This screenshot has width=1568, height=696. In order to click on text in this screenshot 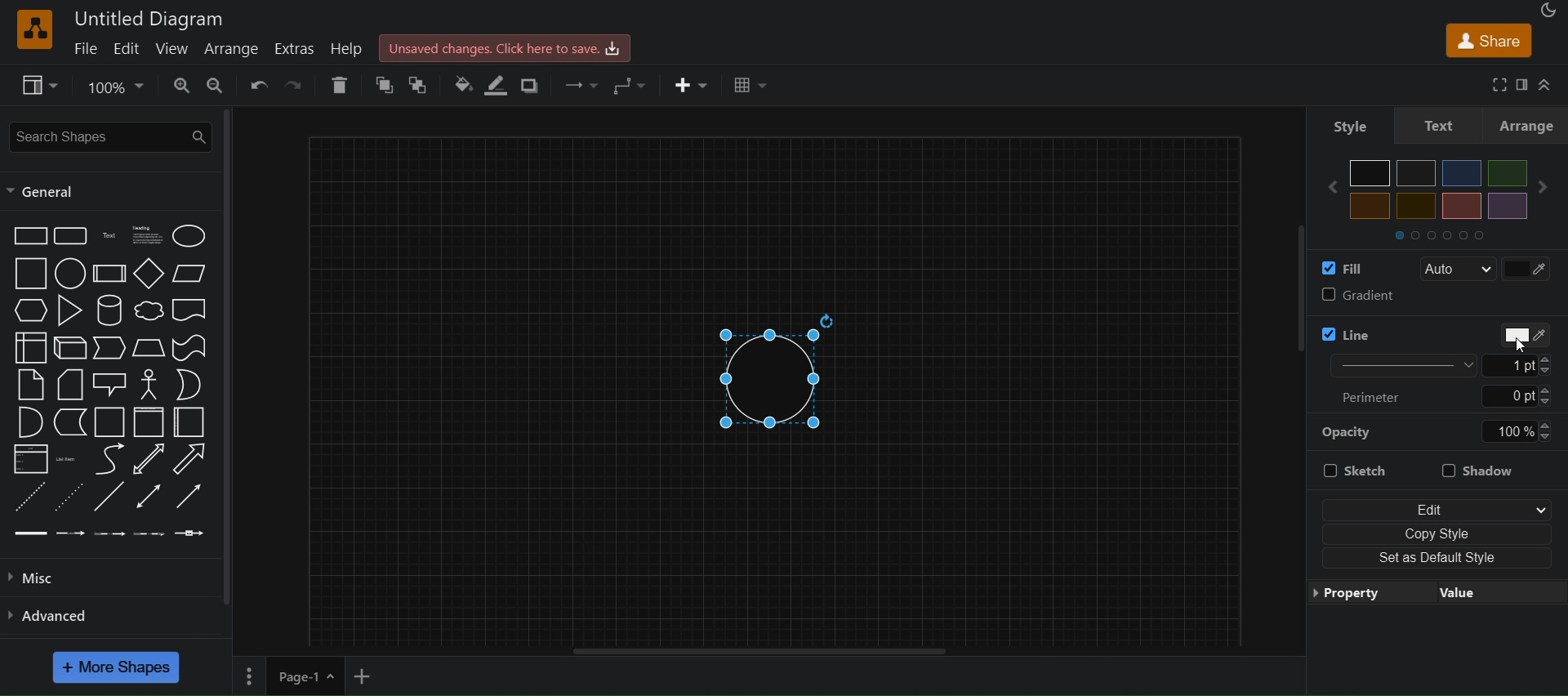, I will do `click(1441, 124)`.